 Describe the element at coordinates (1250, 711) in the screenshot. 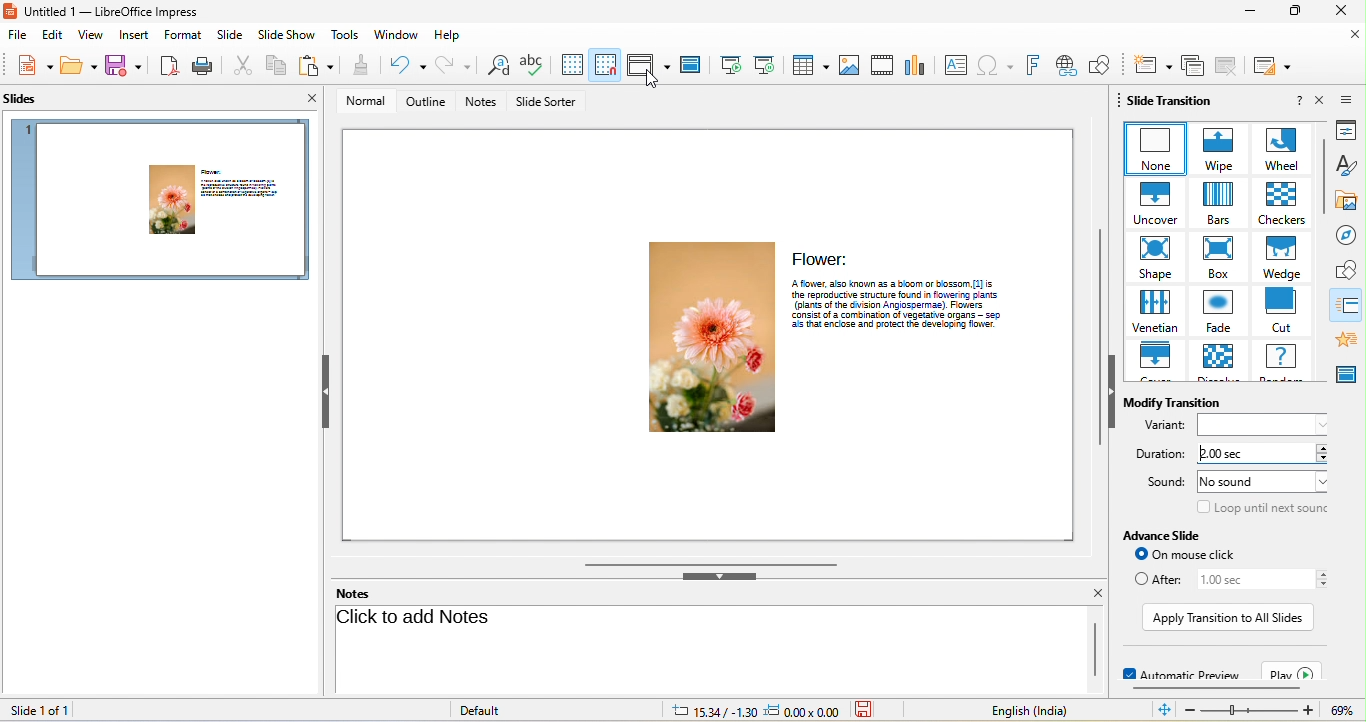

I see `edit zoom` at that location.